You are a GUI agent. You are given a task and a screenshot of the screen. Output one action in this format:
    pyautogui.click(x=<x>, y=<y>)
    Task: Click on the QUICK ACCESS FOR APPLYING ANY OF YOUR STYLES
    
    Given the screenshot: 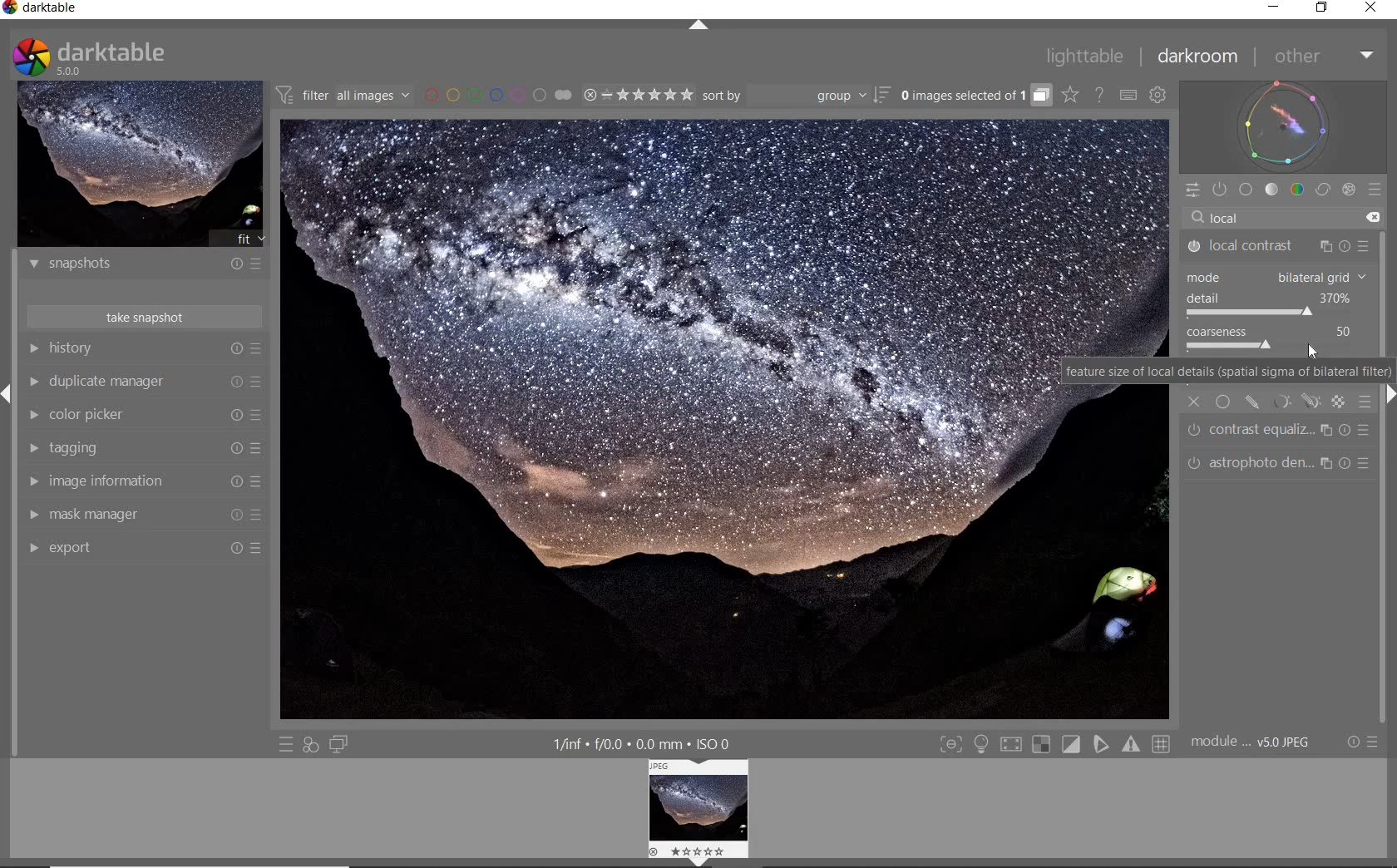 What is the action you would take?
    pyautogui.click(x=309, y=744)
    